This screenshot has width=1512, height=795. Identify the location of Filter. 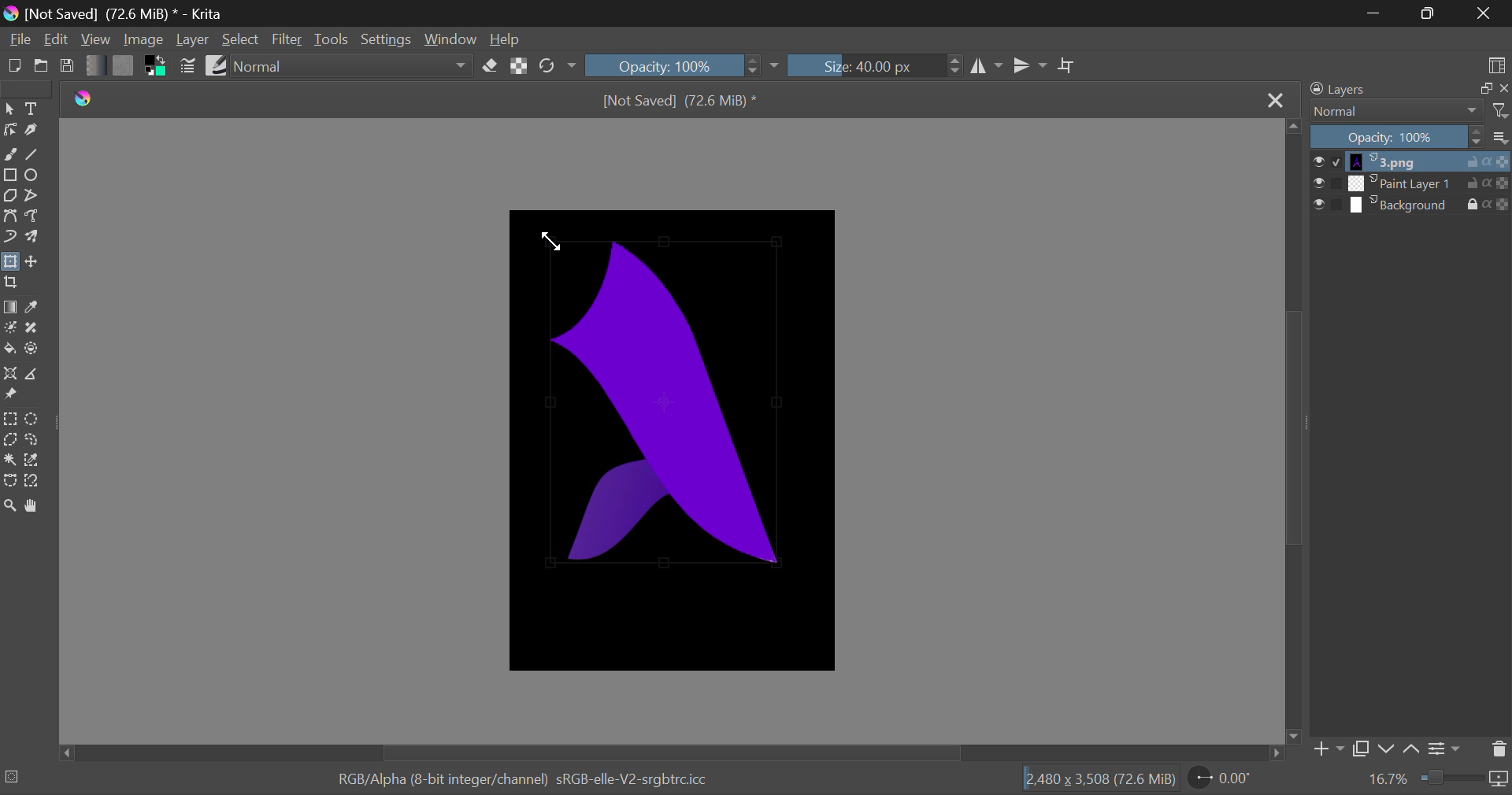
(289, 39).